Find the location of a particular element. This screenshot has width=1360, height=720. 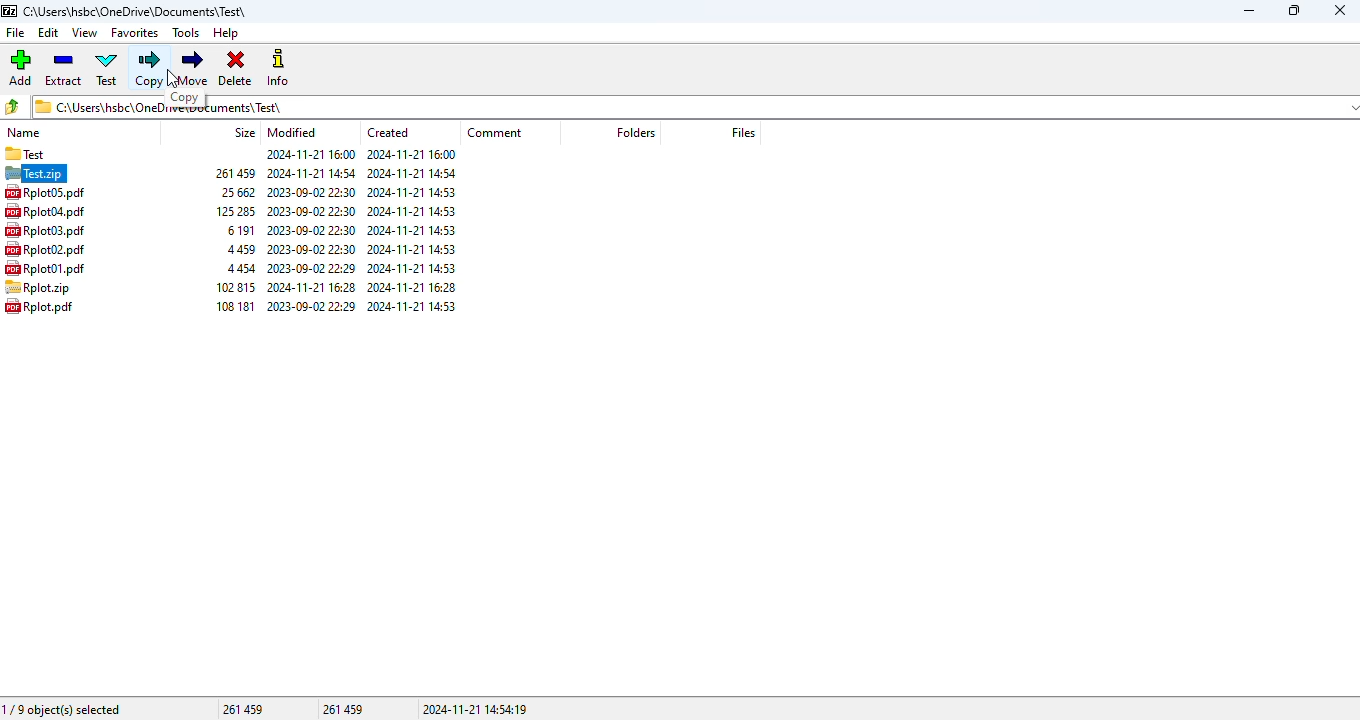

modified date & time is located at coordinates (312, 248).